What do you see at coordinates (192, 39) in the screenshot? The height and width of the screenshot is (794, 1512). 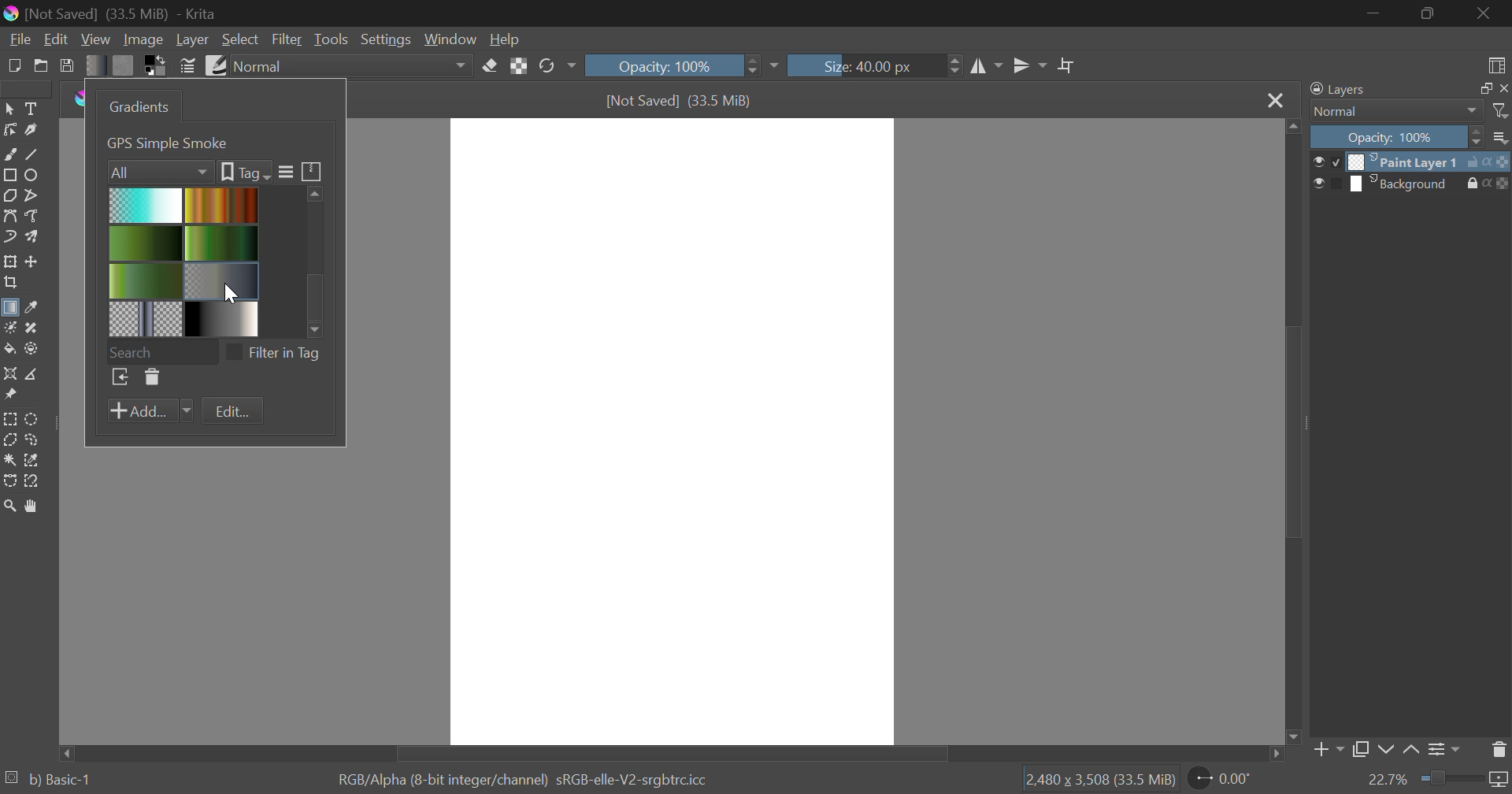 I see `Layer` at bounding box center [192, 39].